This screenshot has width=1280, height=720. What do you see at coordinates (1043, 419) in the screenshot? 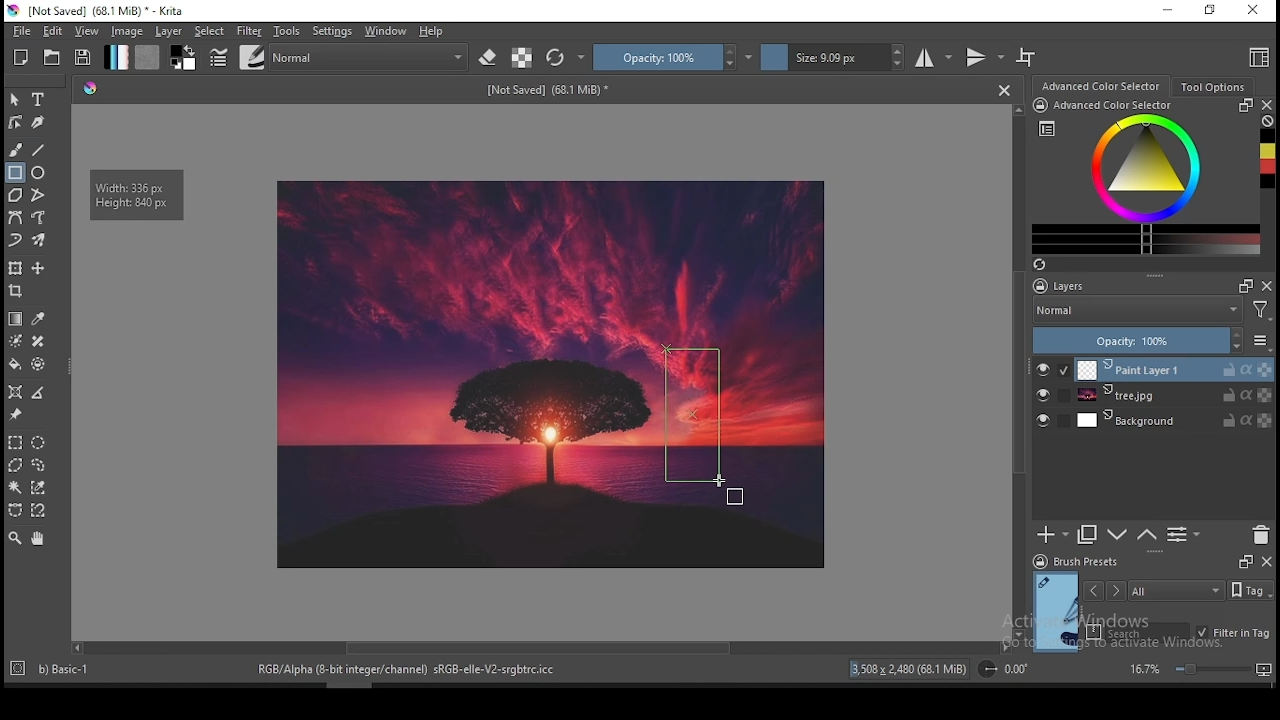
I see `layer visibility on/off` at bounding box center [1043, 419].